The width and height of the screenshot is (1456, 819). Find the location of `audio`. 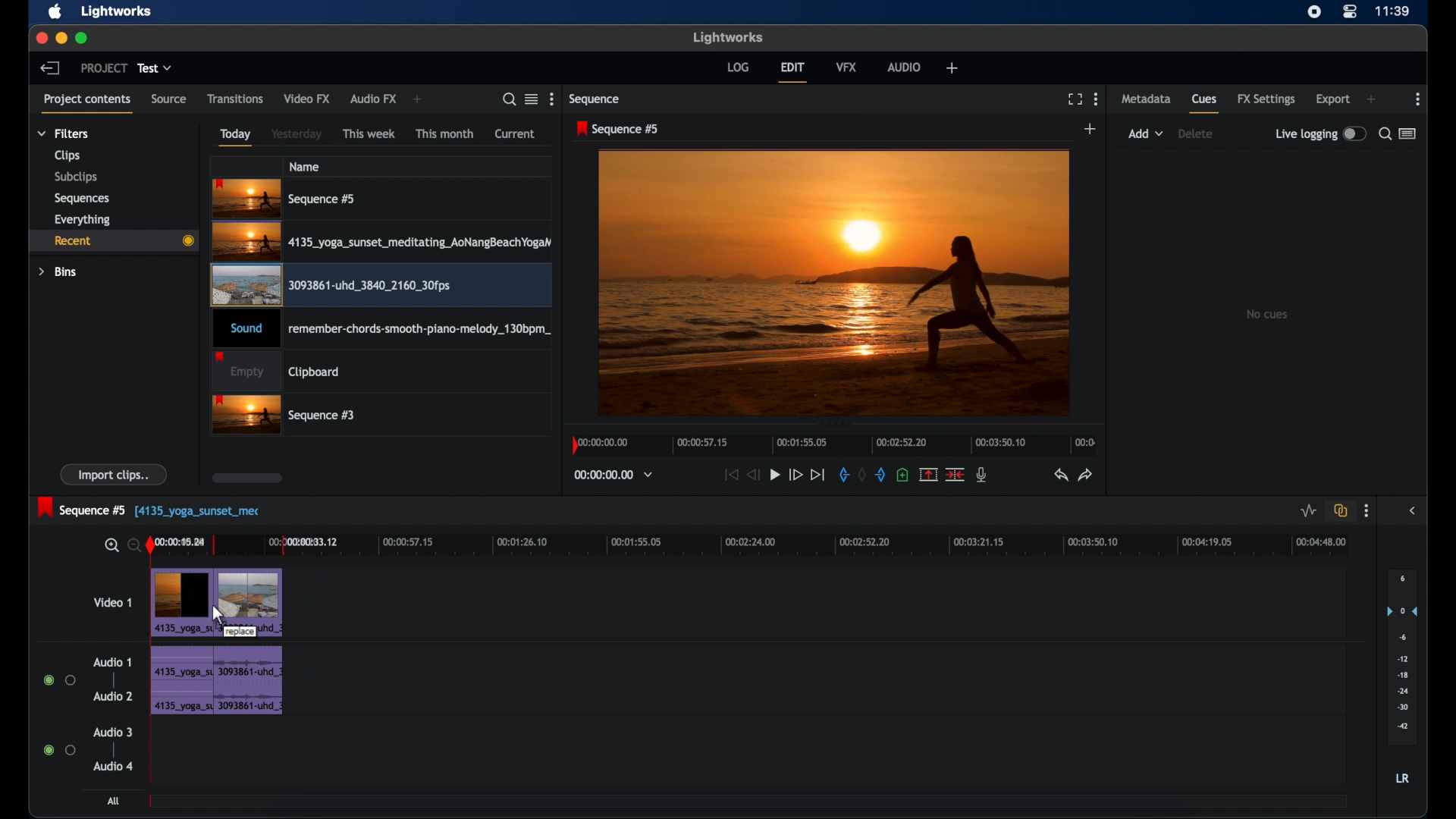

audio is located at coordinates (904, 67).